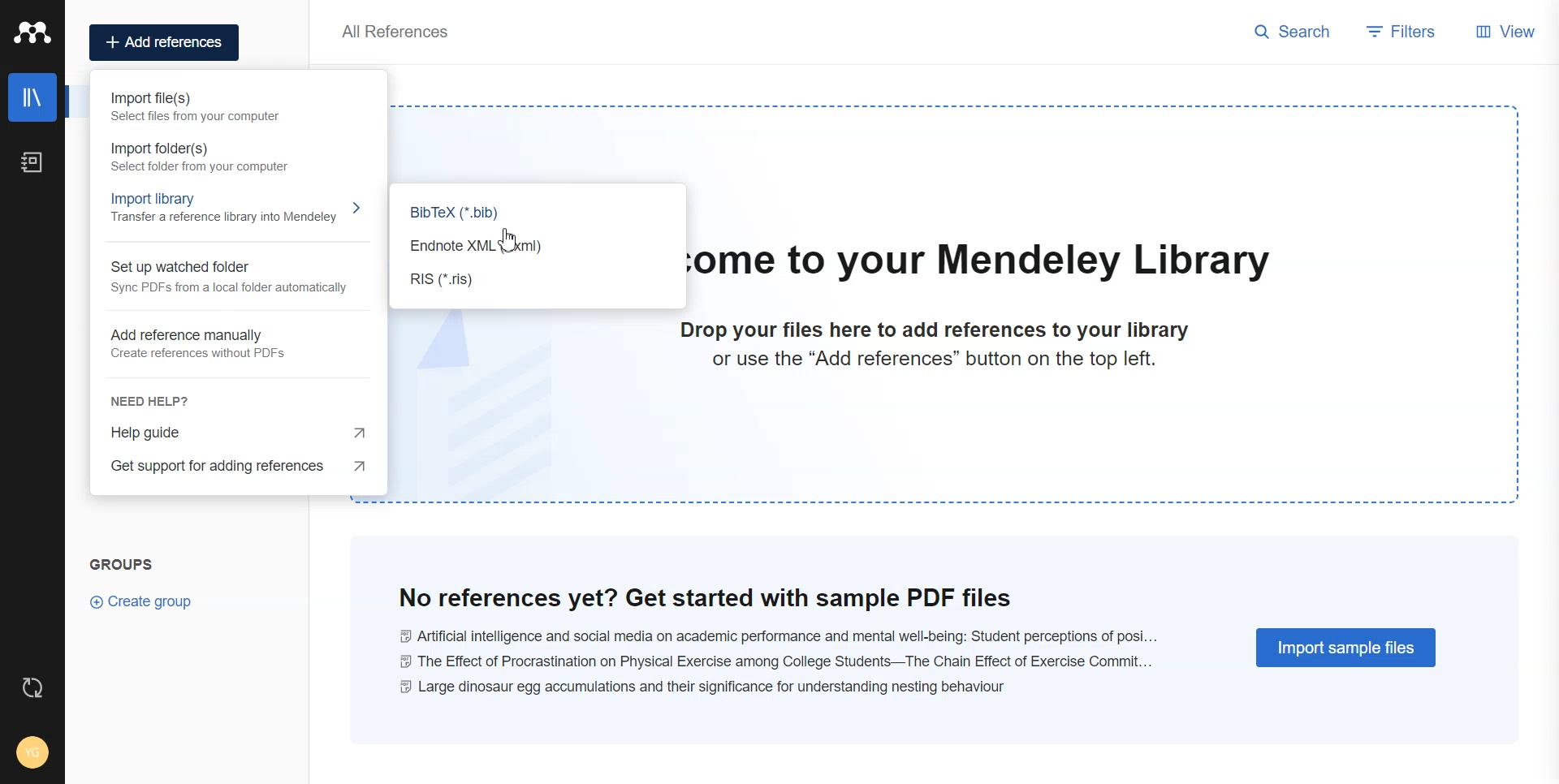 The height and width of the screenshot is (784, 1559). Describe the element at coordinates (509, 239) in the screenshot. I see `Cursor` at that location.